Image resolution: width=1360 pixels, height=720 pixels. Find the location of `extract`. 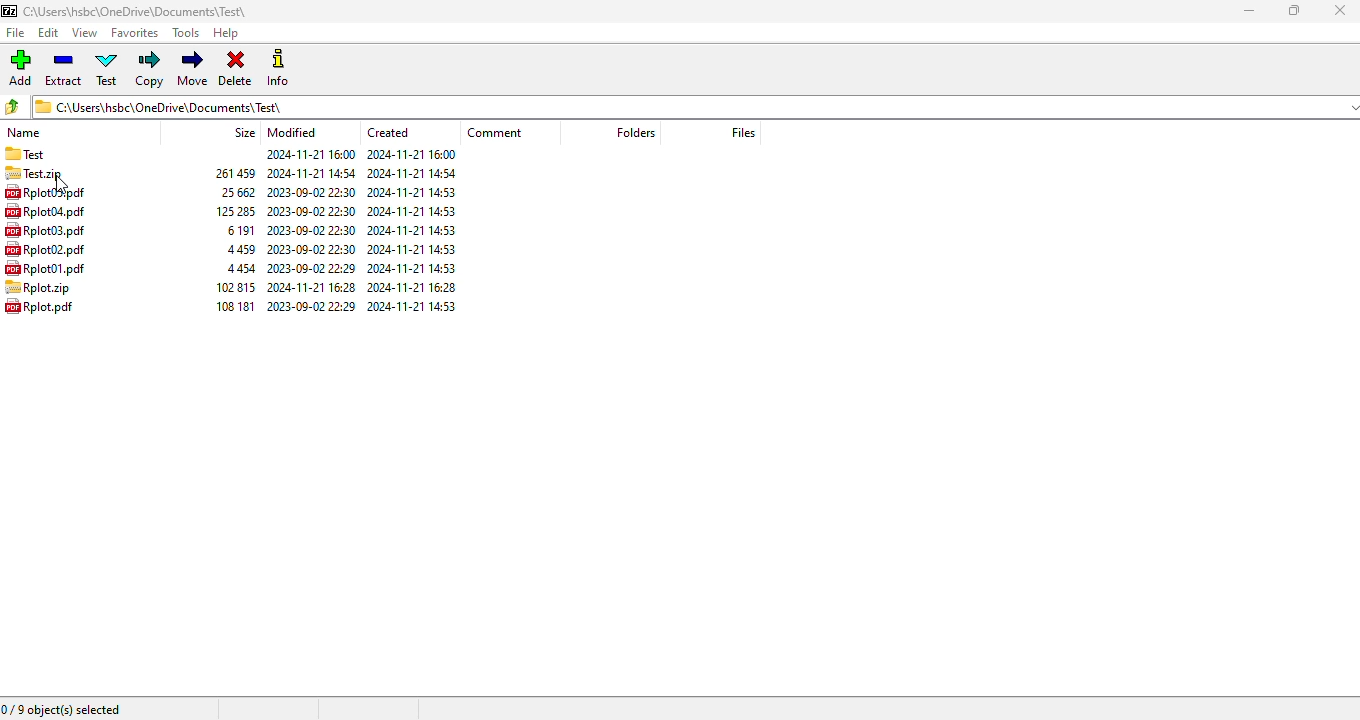

extract is located at coordinates (64, 70).